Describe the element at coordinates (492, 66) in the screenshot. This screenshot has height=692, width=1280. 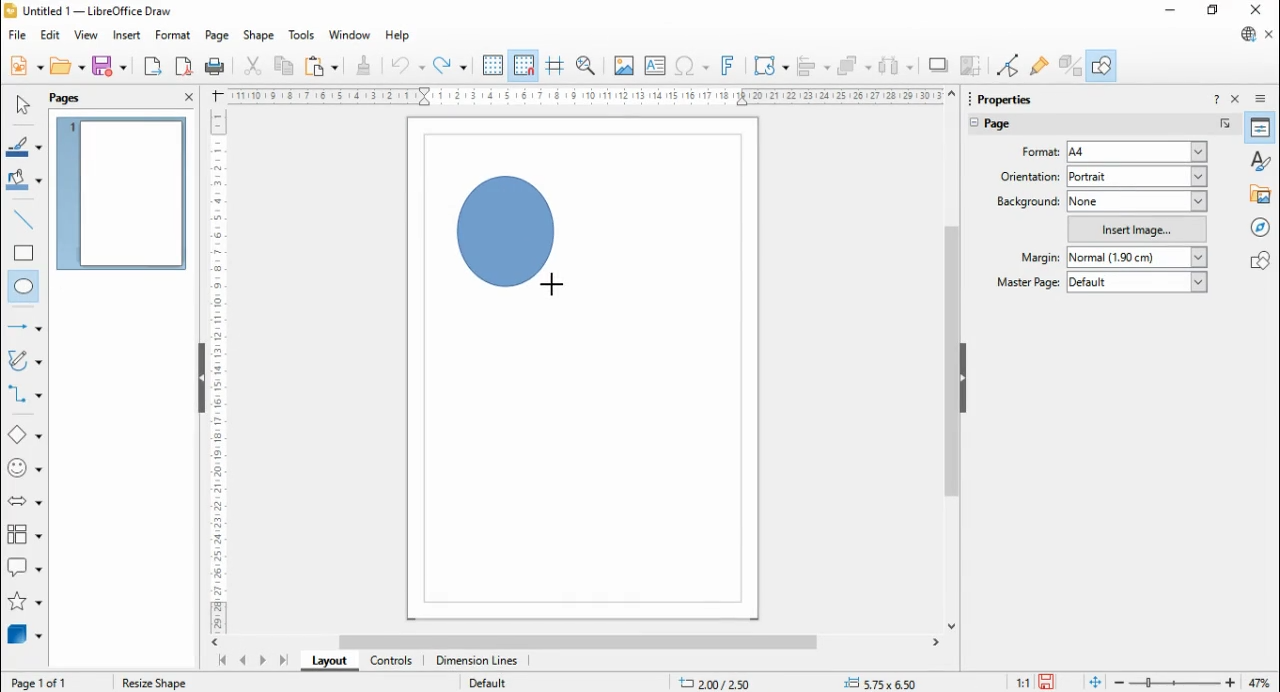
I see `display grid` at that location.